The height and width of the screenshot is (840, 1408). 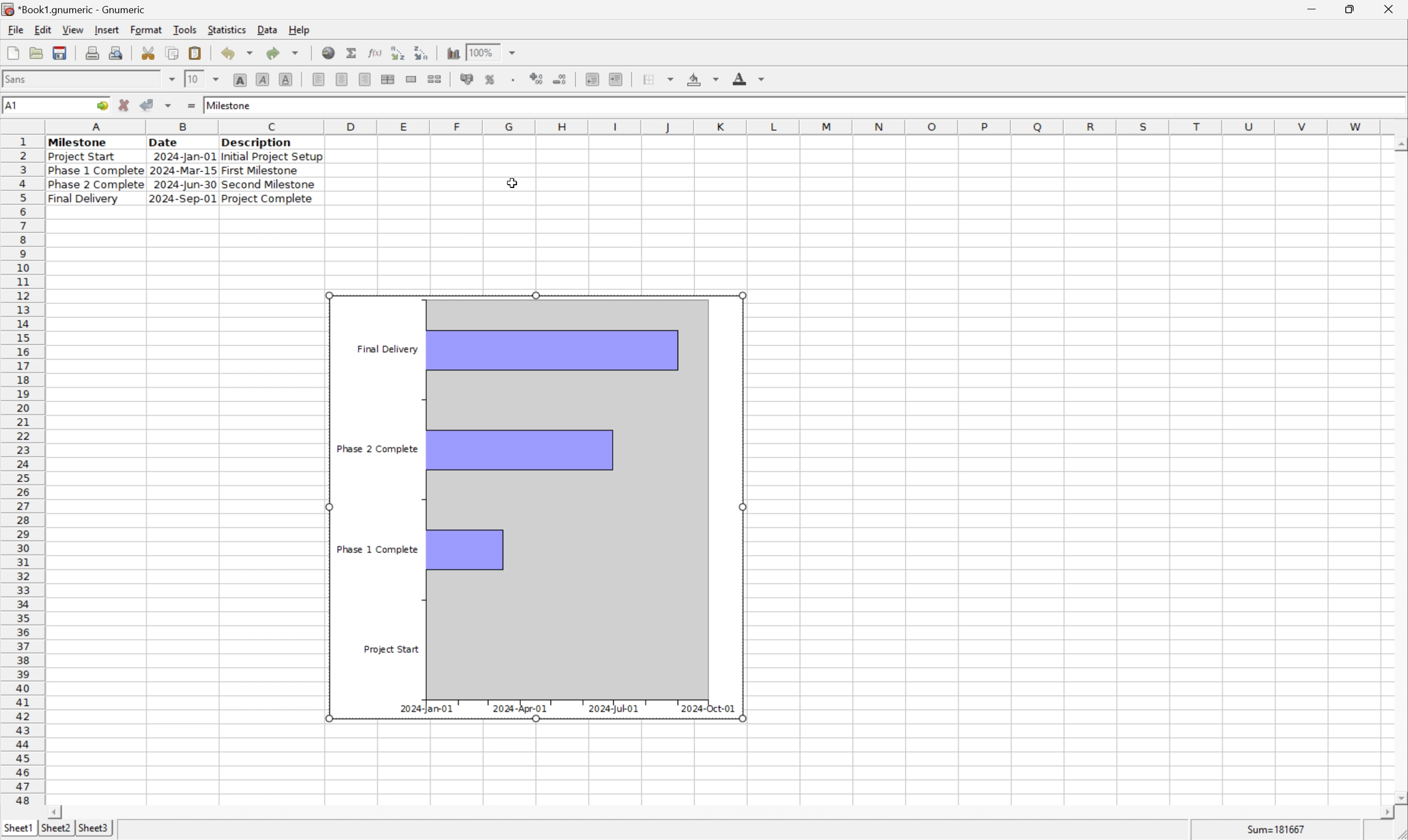 What do you see at coordinates (700, 77) in the screenshot?
I see `highlight color` at bounding box center [700, 77].